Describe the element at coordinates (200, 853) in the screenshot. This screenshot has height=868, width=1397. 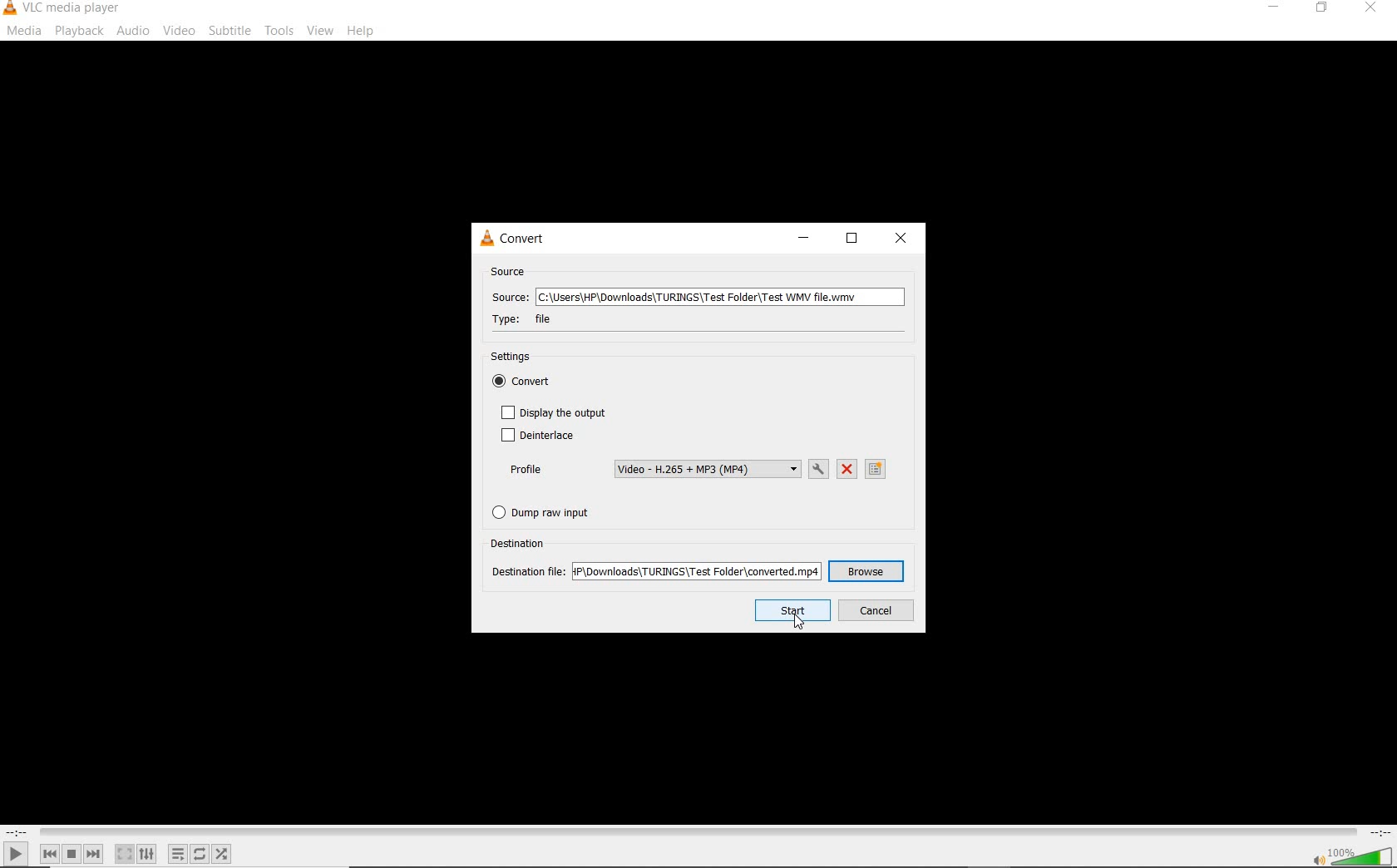
I see `click to toggle between loop all` at that location.